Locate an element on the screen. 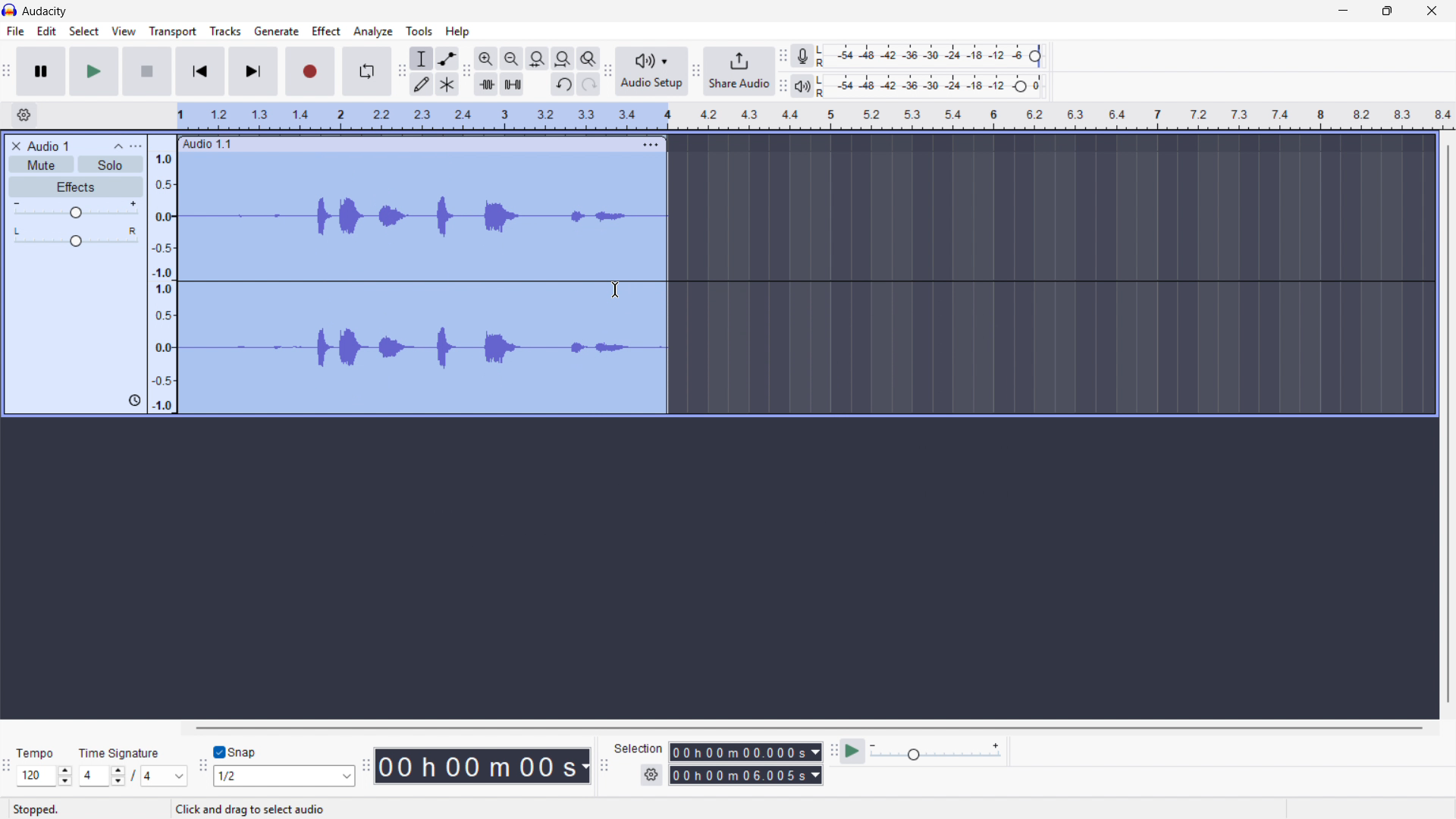  Draw tool is located at coordinates (422, 83).